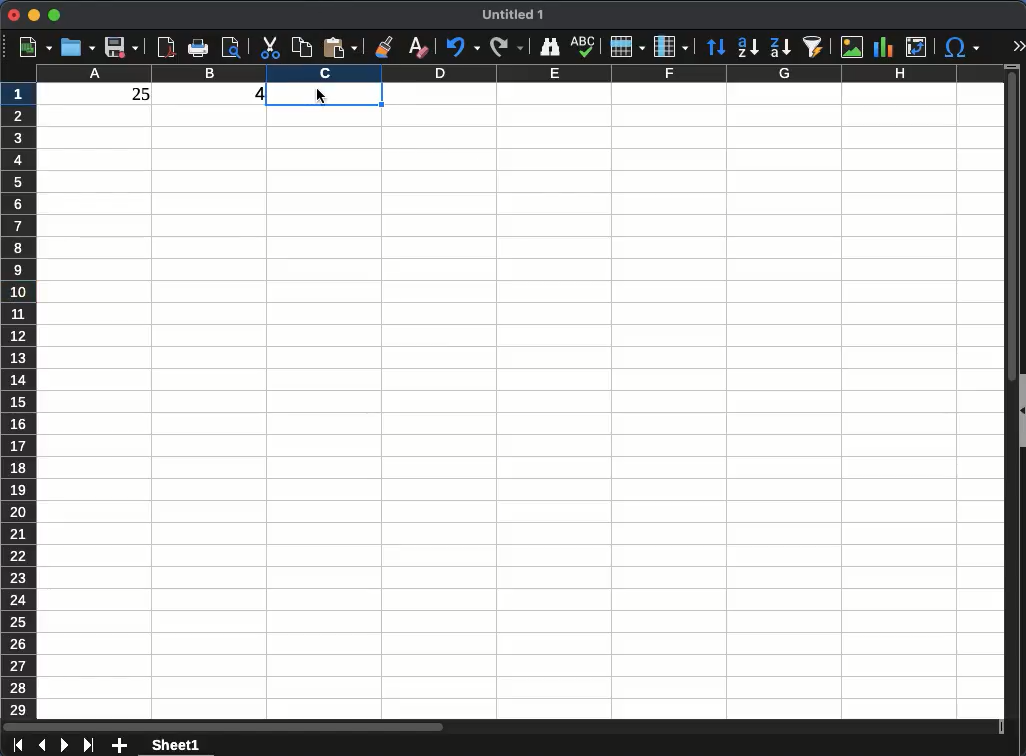  Describe the element at coordinates (42, 745) in the screenshot. I see `previous sheet` at that location.